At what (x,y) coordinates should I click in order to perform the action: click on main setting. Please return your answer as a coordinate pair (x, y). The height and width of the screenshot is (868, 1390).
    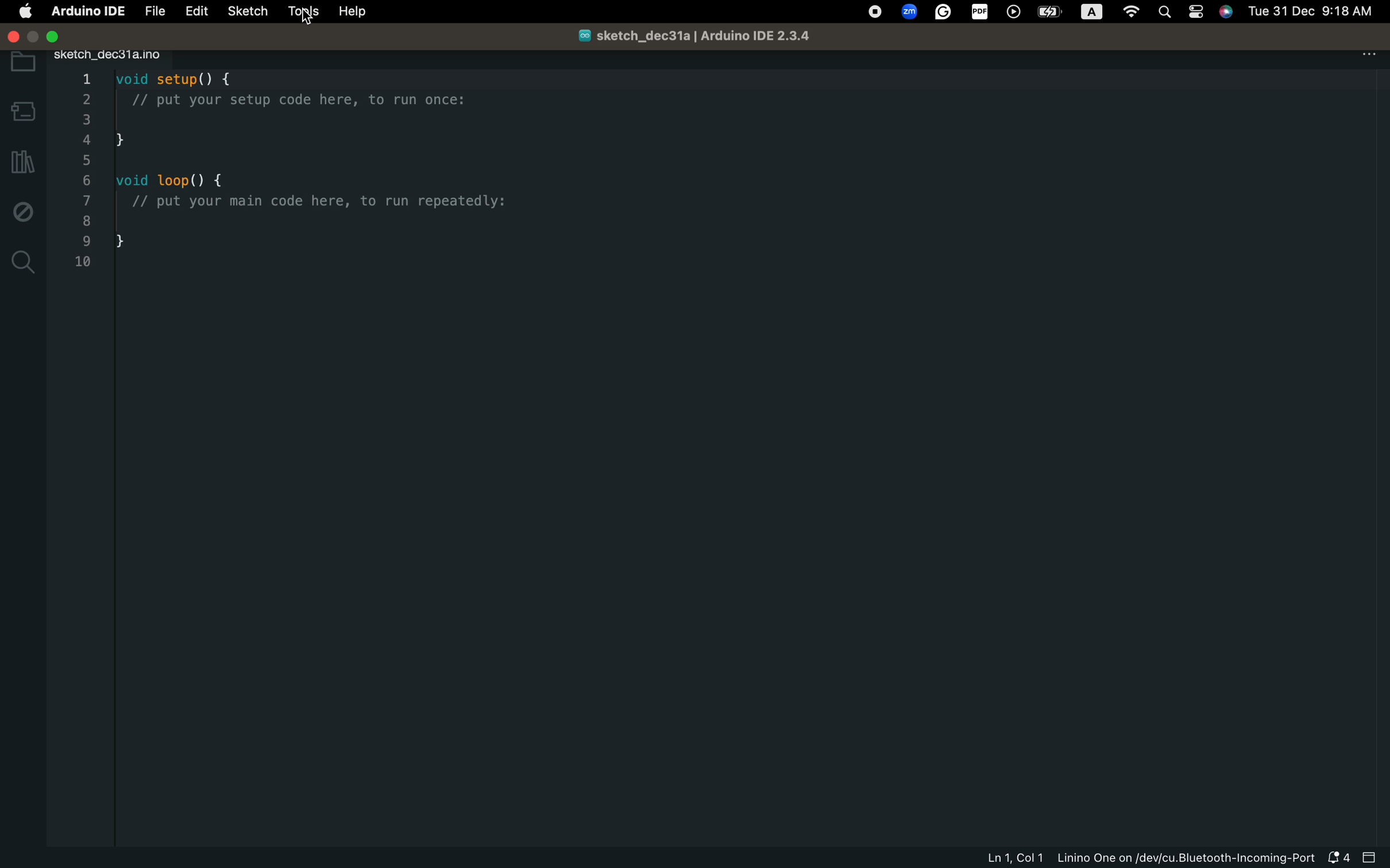
    Looking at the image, I should click on (25, 12).